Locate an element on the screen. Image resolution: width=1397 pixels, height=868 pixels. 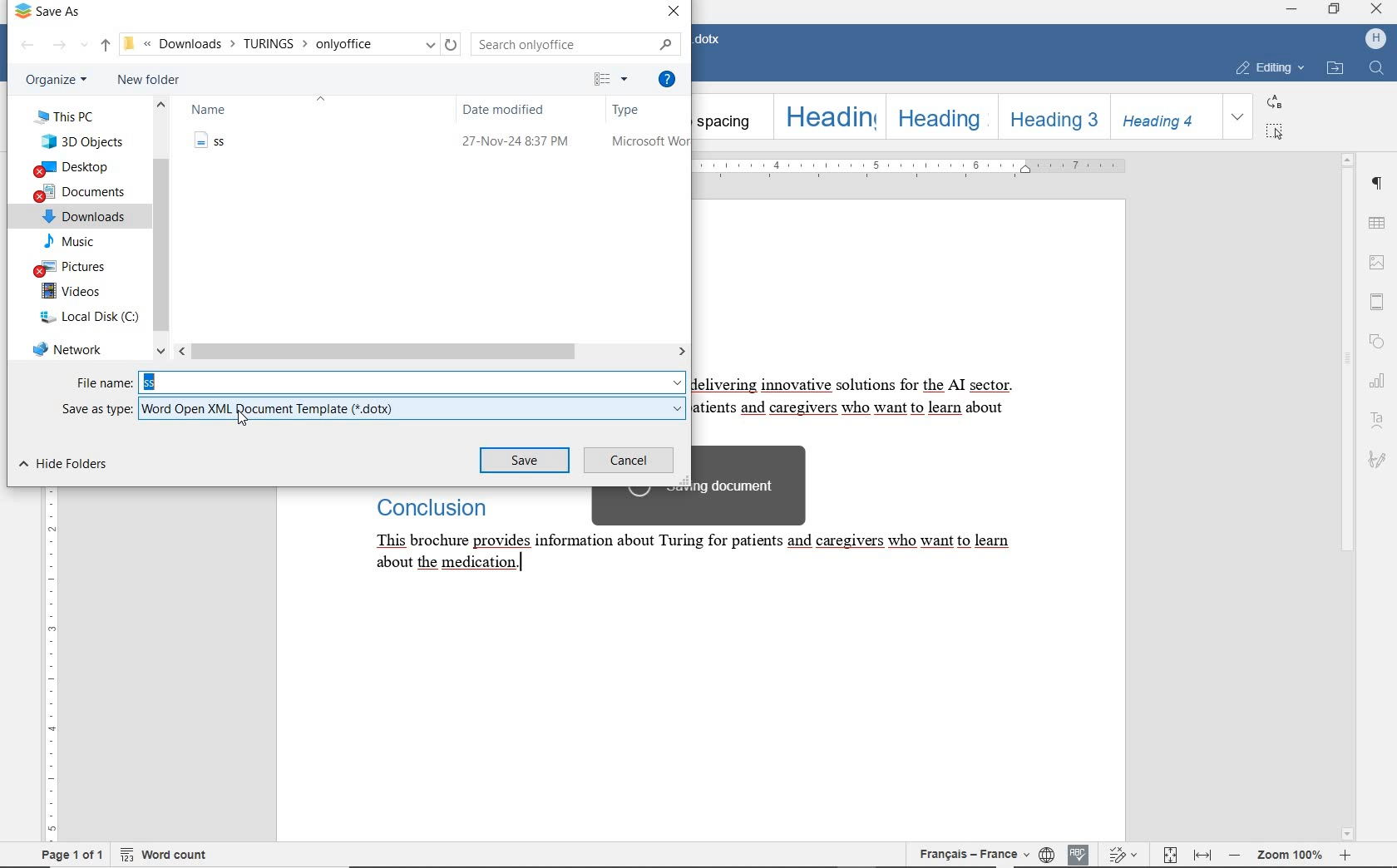
PATH is located at coordinates (279, 44).